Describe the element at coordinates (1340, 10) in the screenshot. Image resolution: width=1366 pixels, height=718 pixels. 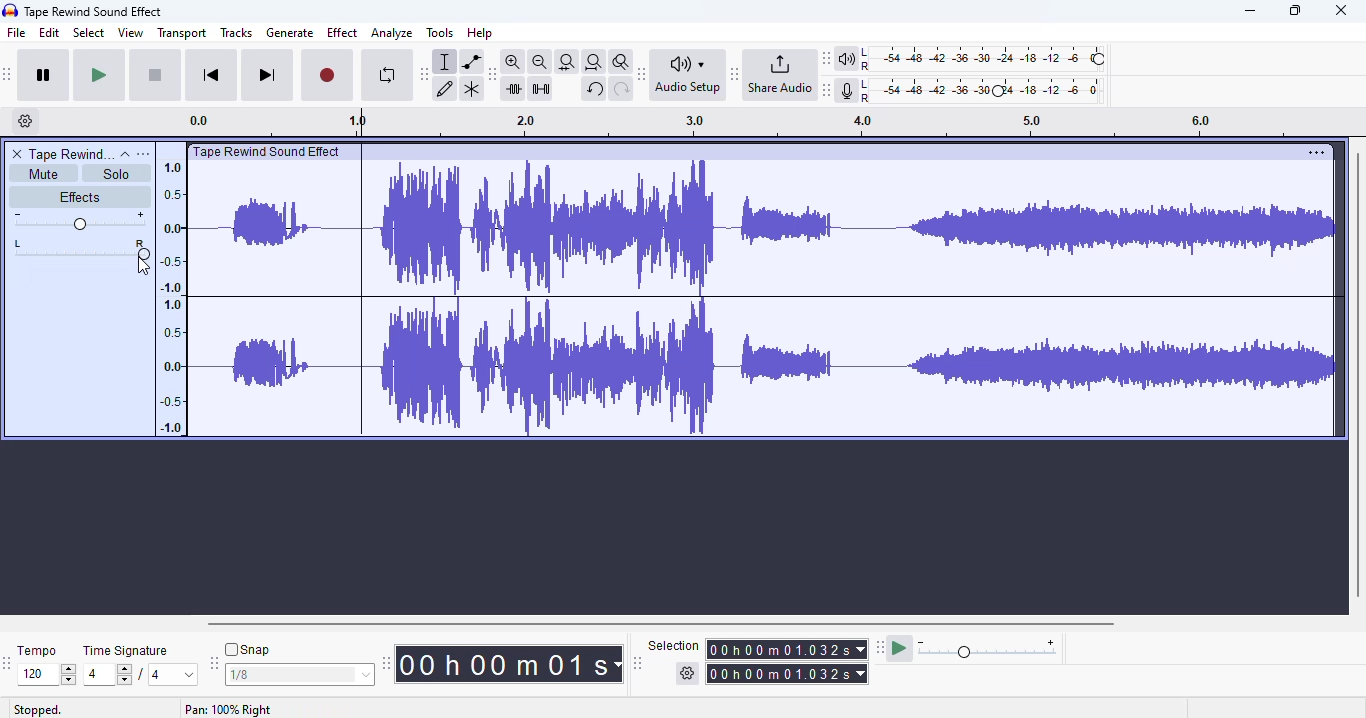
I see `close` at that location.